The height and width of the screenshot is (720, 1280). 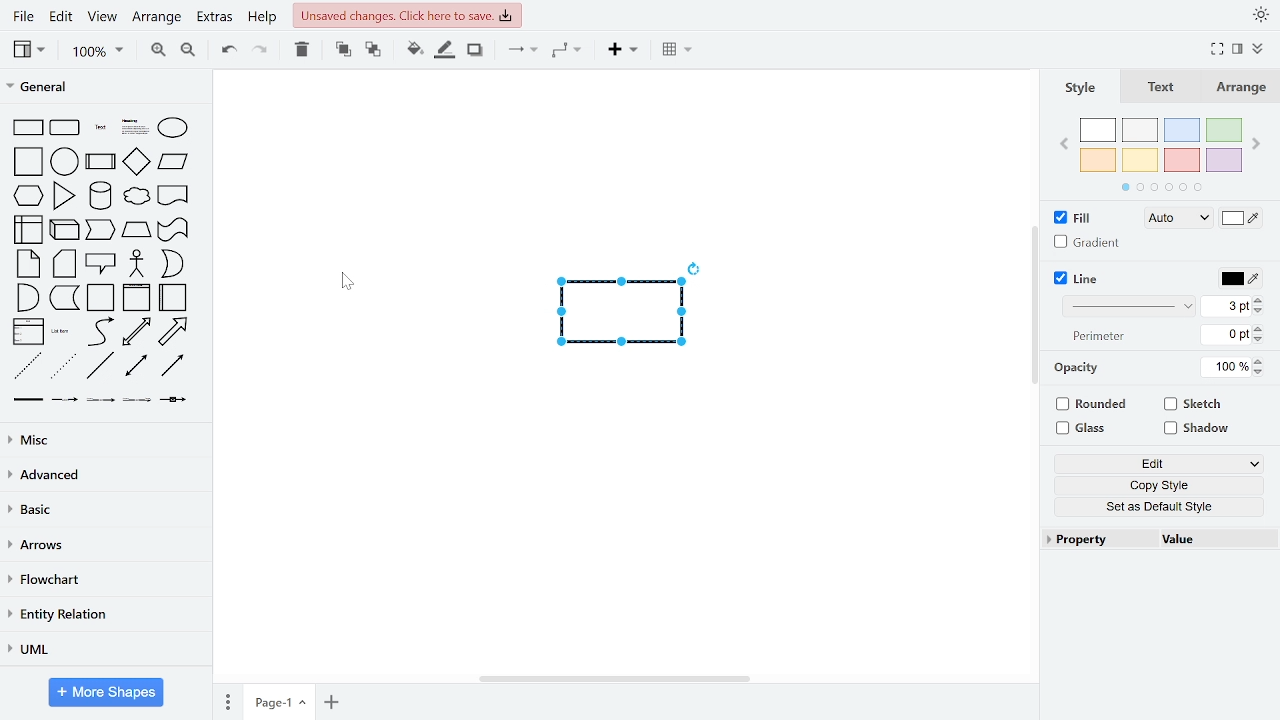 I want to click on decrease perimeter, so click(x=1259, y=339).